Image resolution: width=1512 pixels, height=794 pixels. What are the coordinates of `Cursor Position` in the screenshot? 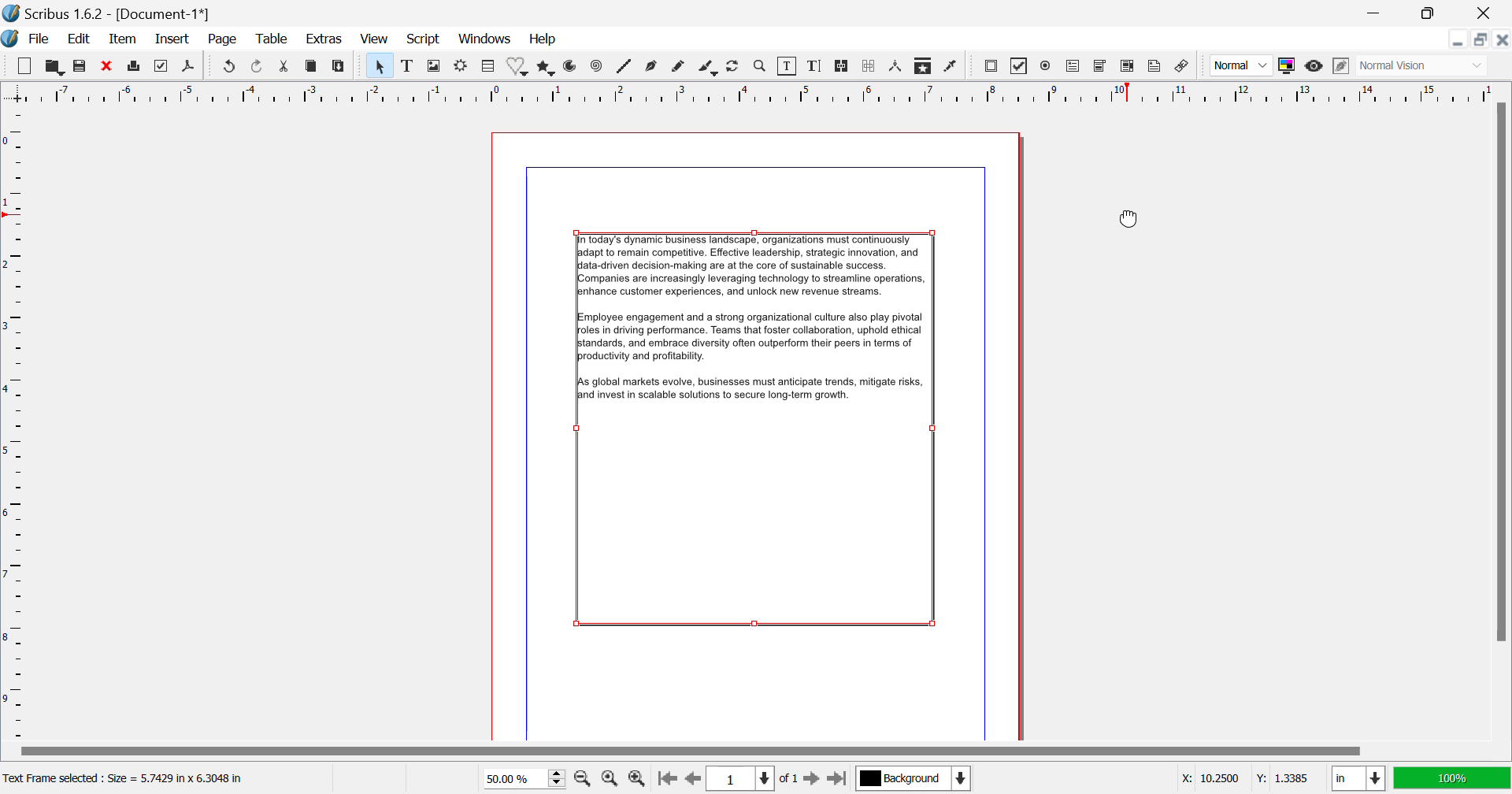 It's located at (1248, 779).